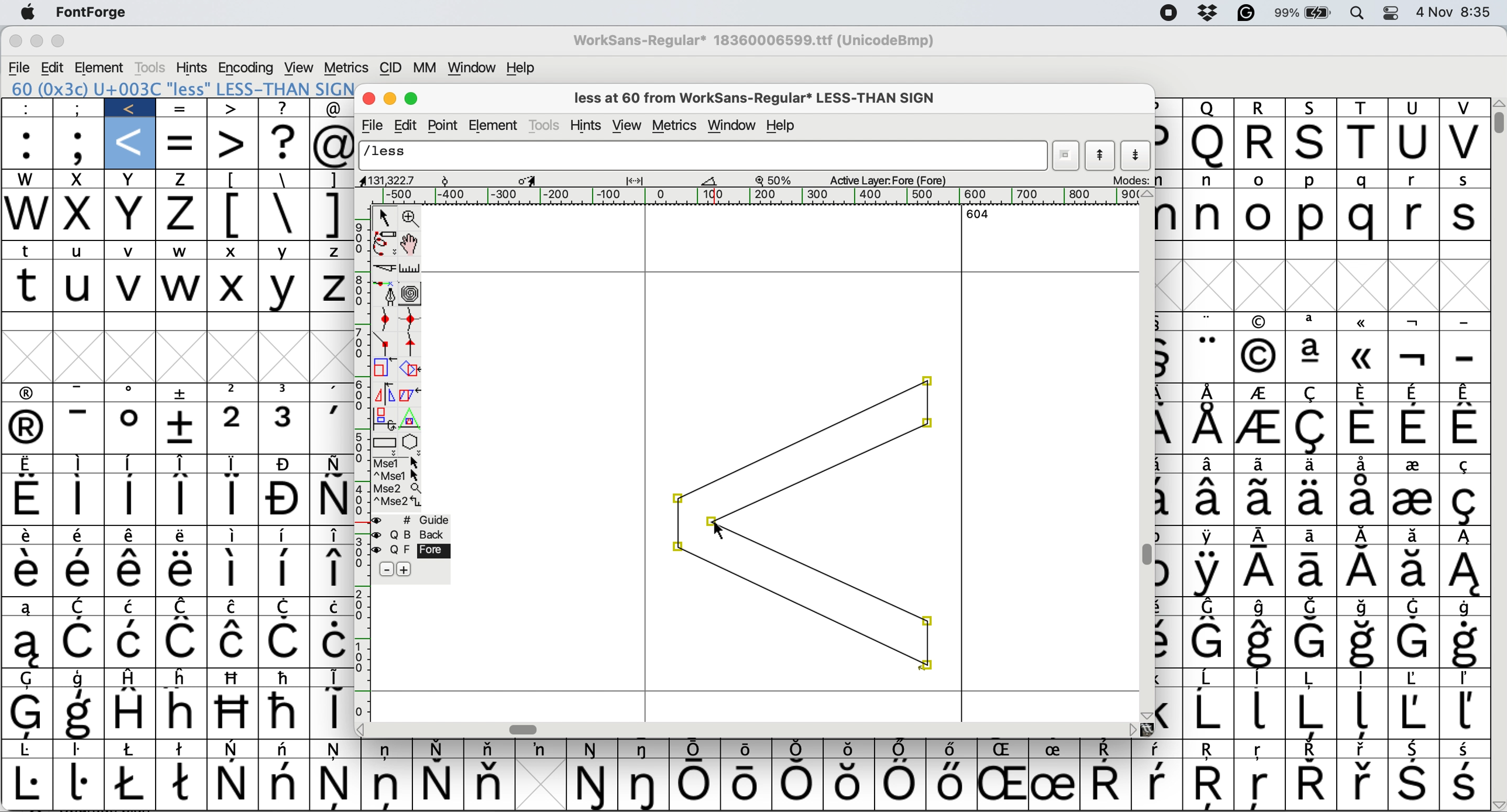 This screenshot has width=1507, height=812. Describe the element at coordinates (29, 394) in the screenshot. I see `Symbol` at that location.